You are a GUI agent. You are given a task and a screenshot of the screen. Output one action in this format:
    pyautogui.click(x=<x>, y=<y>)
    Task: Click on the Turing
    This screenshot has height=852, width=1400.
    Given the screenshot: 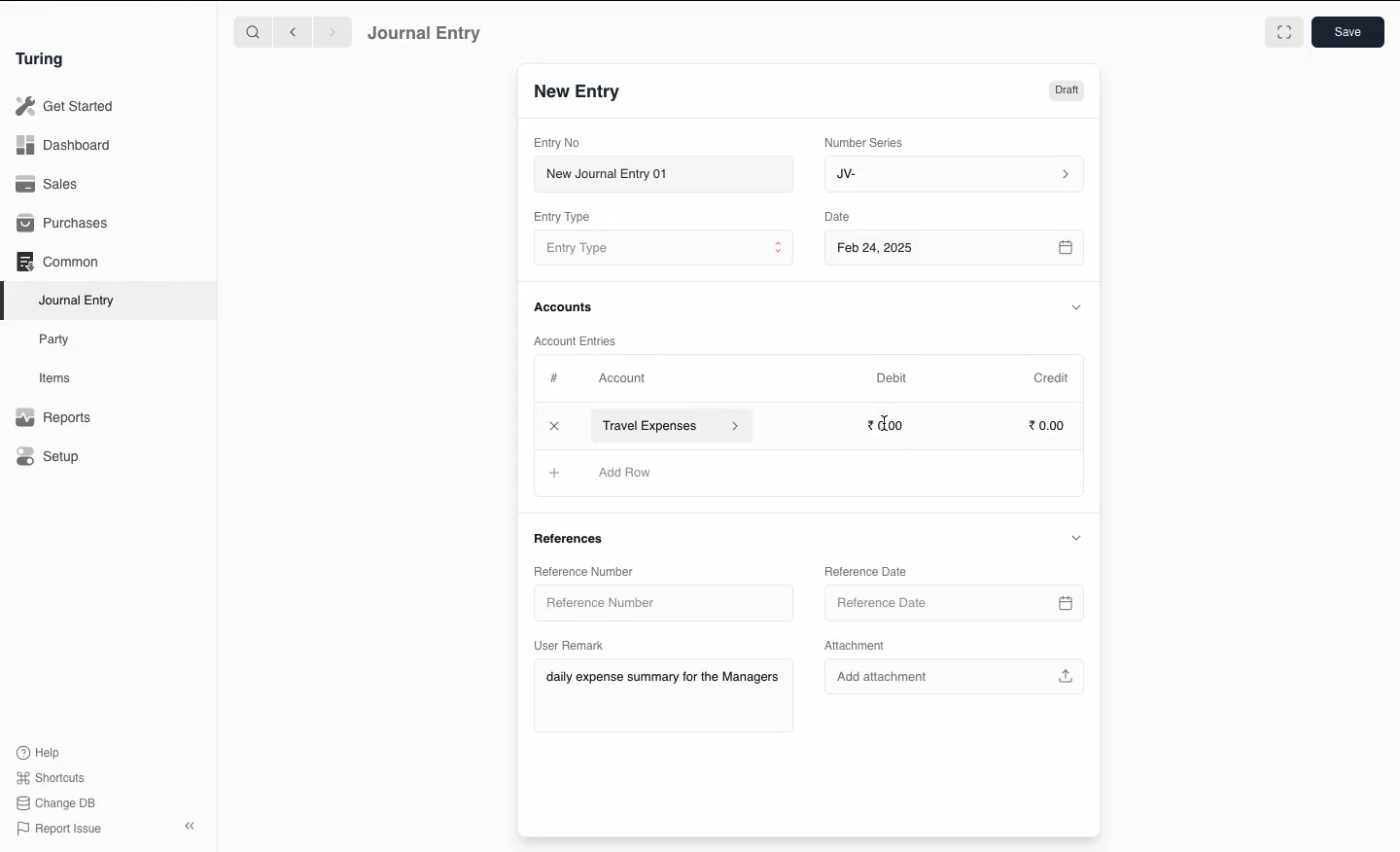 What is the action you would take?
    pyautogui.click(x=44, y=60)
    